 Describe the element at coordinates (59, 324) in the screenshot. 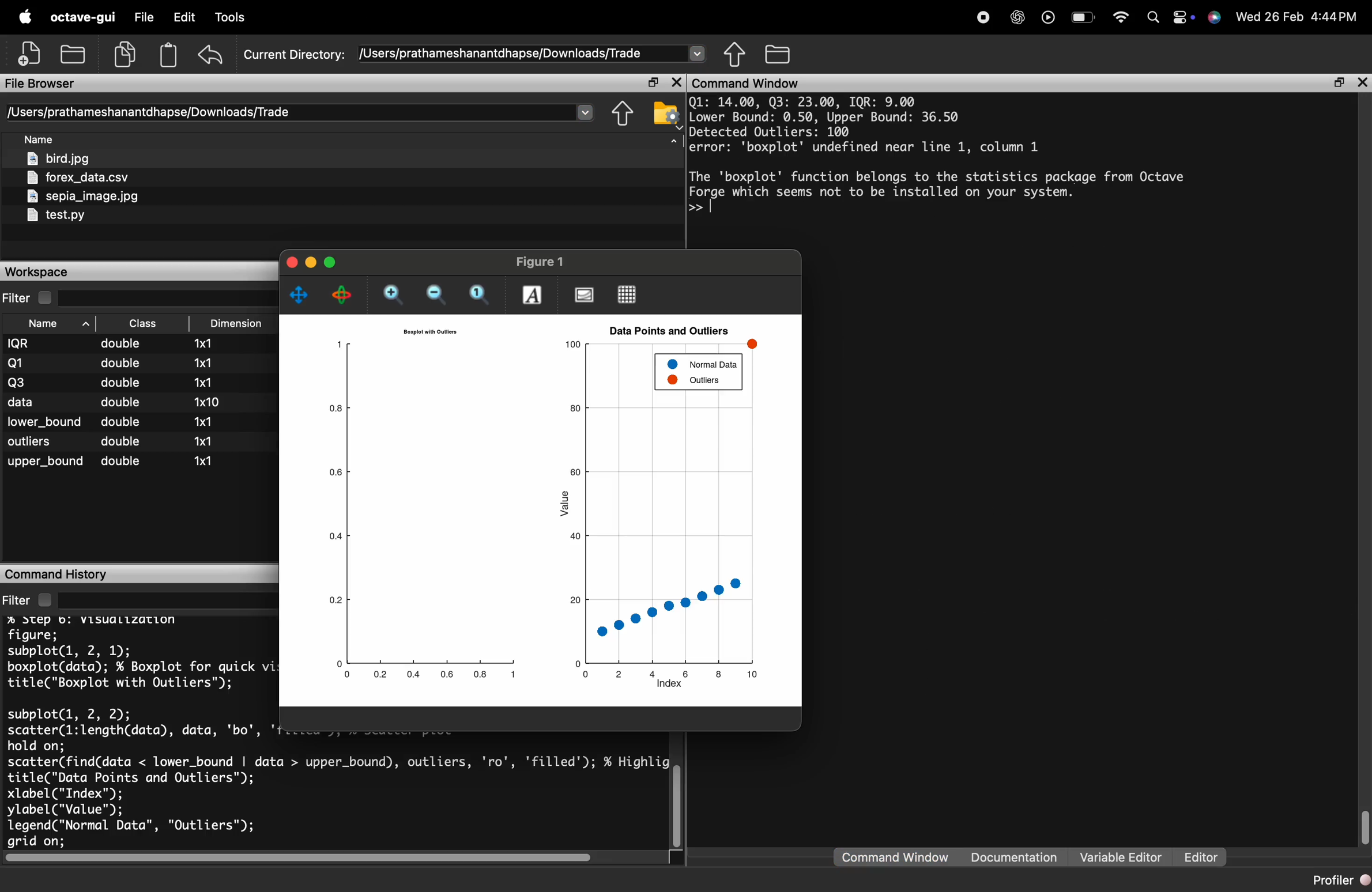

I see `Name ^` at that location.